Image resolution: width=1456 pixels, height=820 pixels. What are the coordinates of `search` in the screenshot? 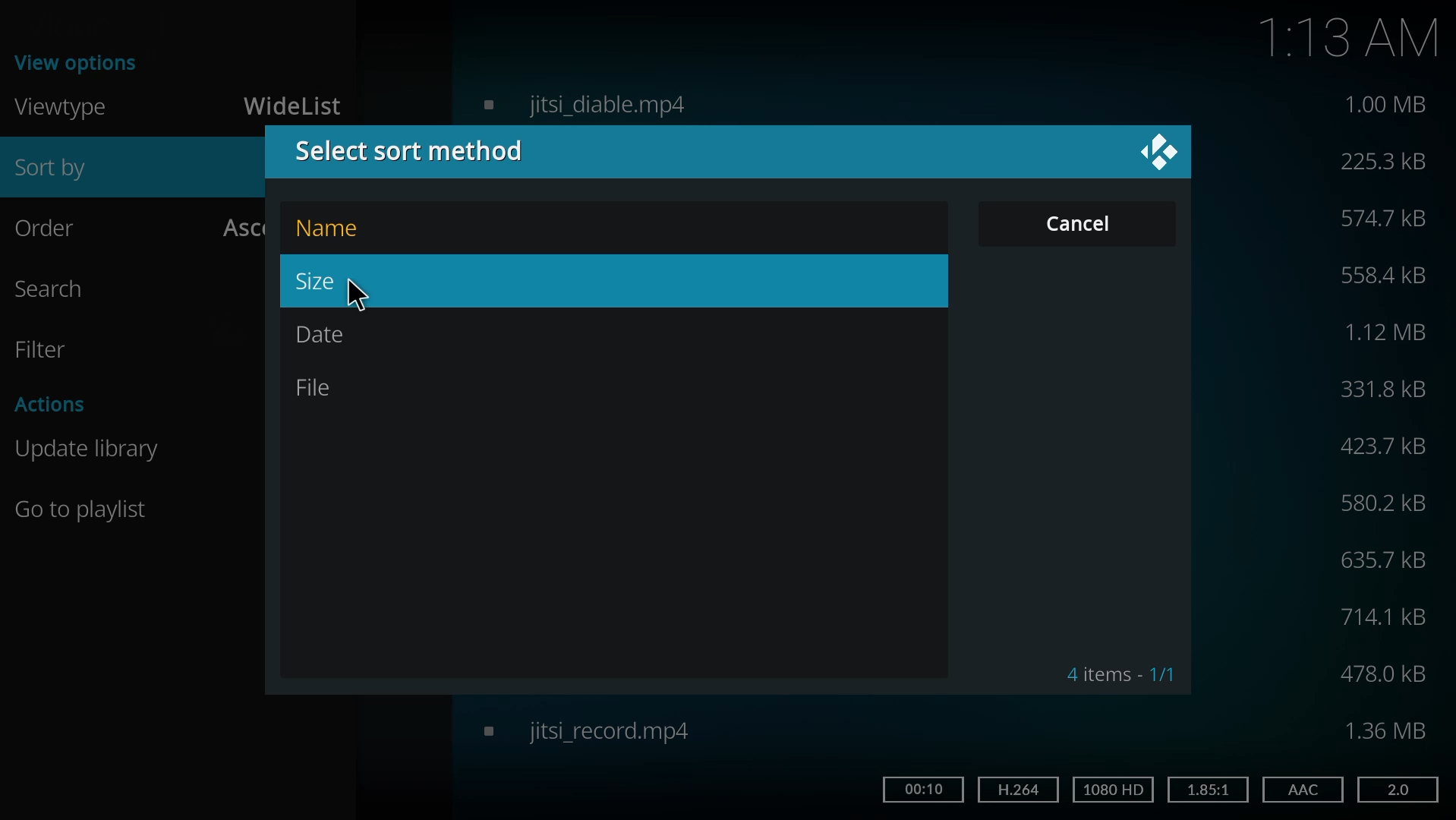 It's located at (52, 290).